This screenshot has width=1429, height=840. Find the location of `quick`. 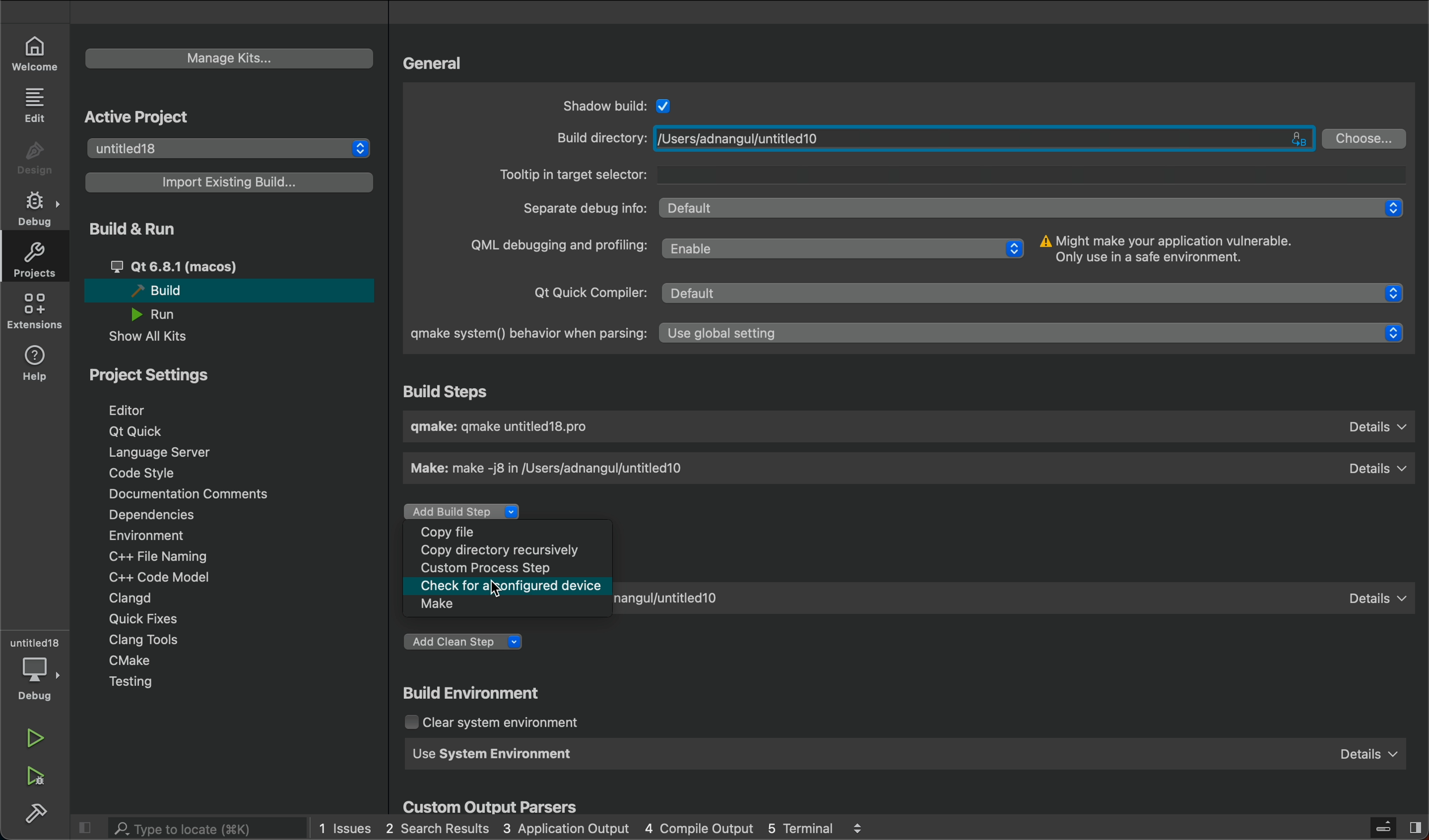

quick is located at coordinates (163, 620).